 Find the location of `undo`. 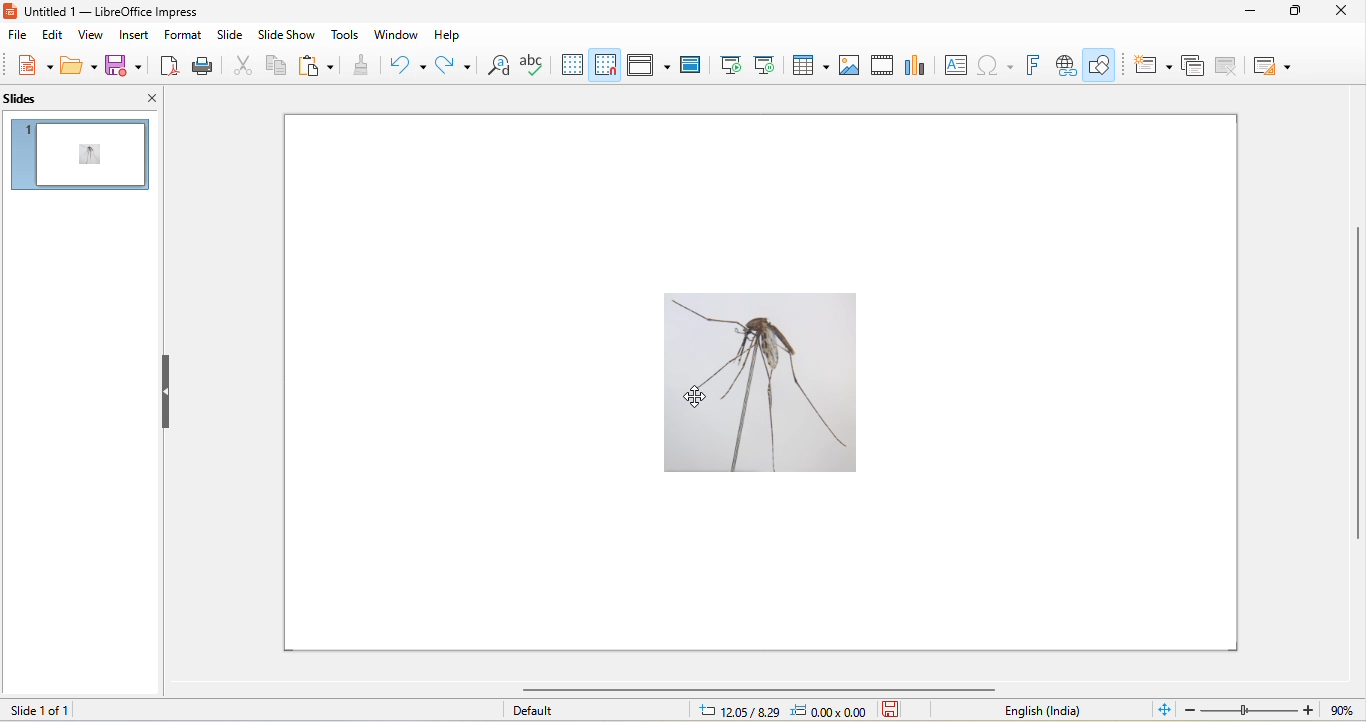

undo is located at coordinates (404, 66).